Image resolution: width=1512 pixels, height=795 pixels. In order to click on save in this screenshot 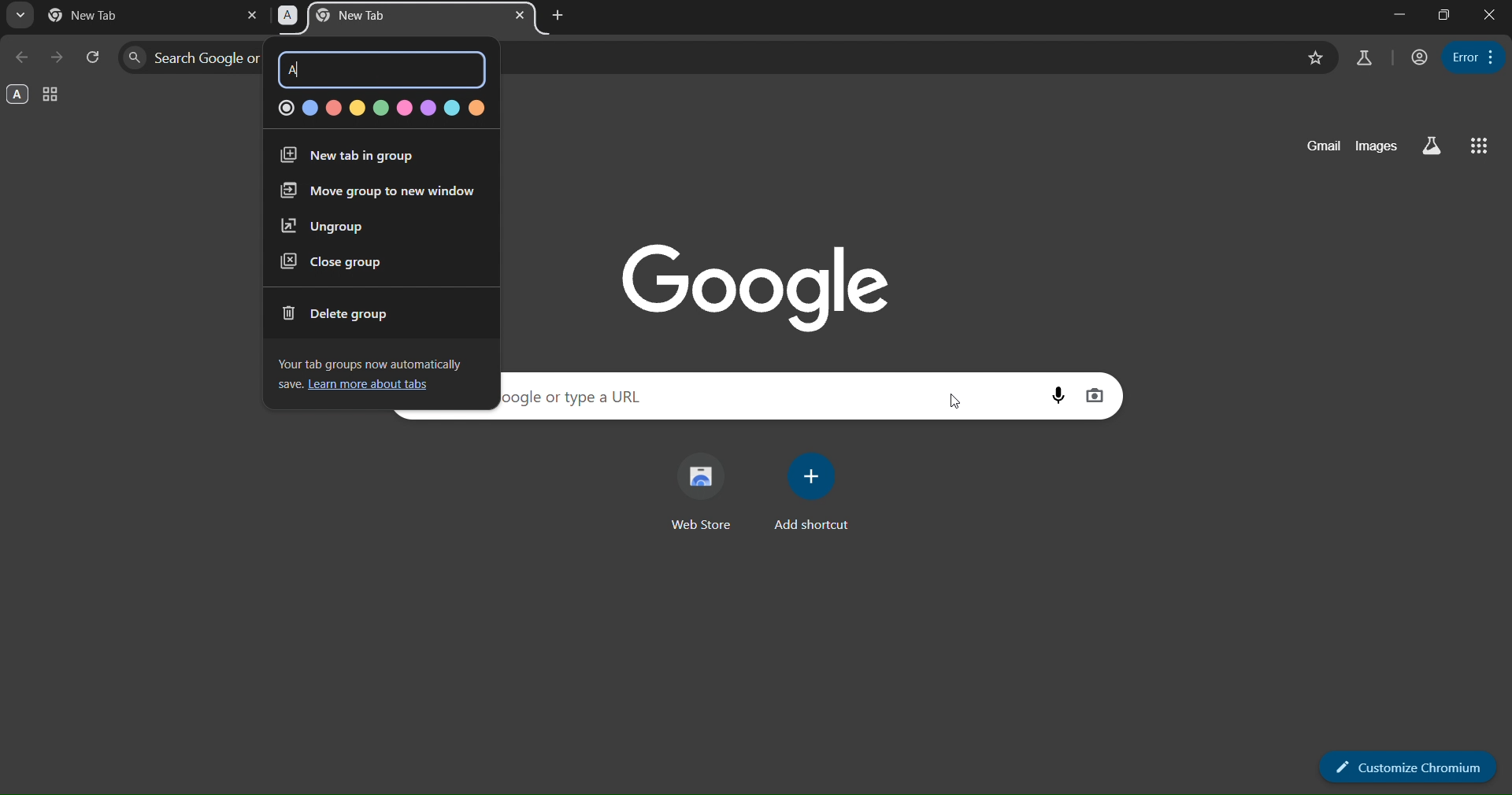, I will do `click(287, 384)`.